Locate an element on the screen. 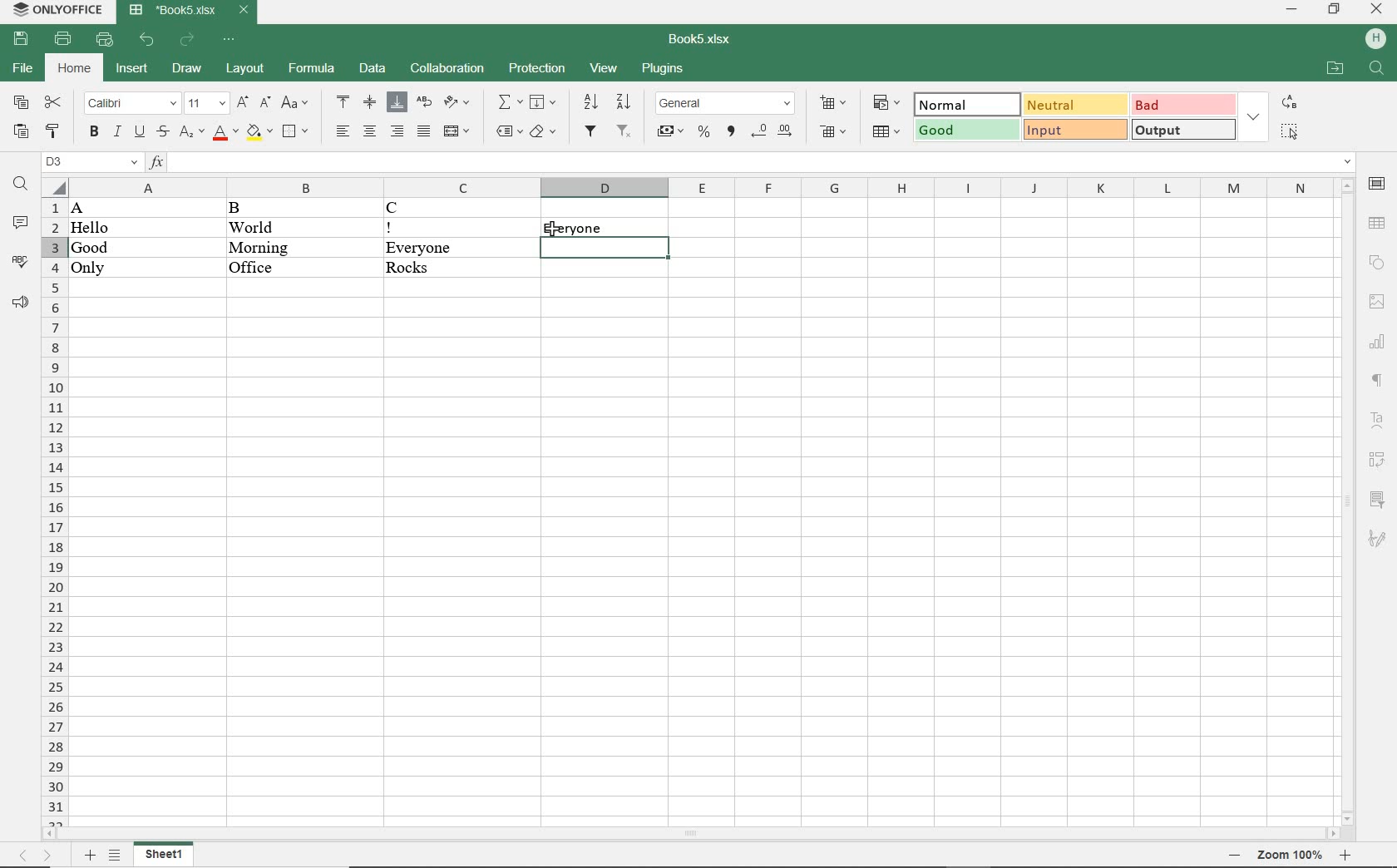 The width and height of the screenshot is (1397, 868). remove filter is located at coordinates (625, 134).